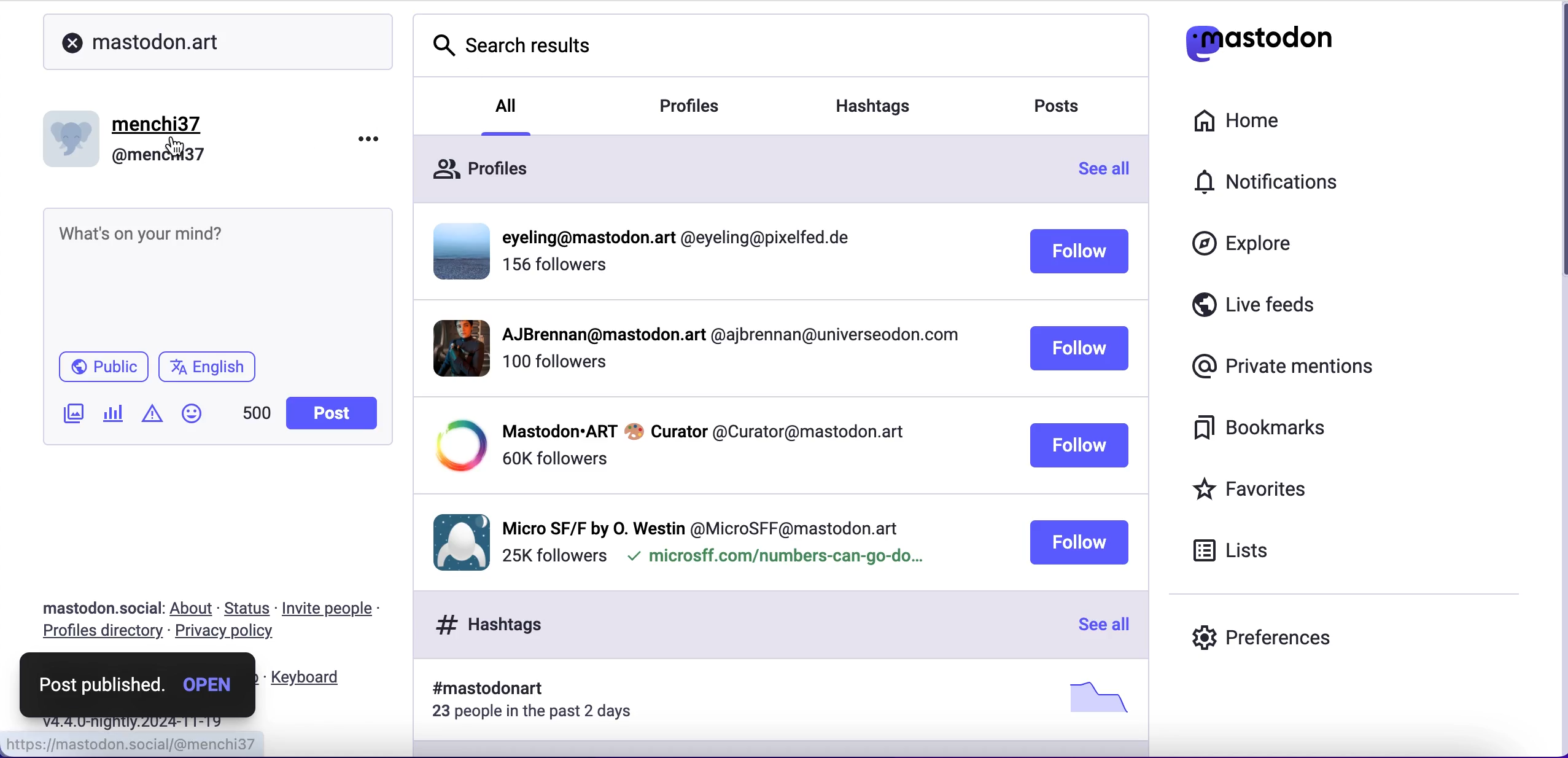 This screenshot has height=758, width=1568. I want to click on invite people, so click(340, 608).